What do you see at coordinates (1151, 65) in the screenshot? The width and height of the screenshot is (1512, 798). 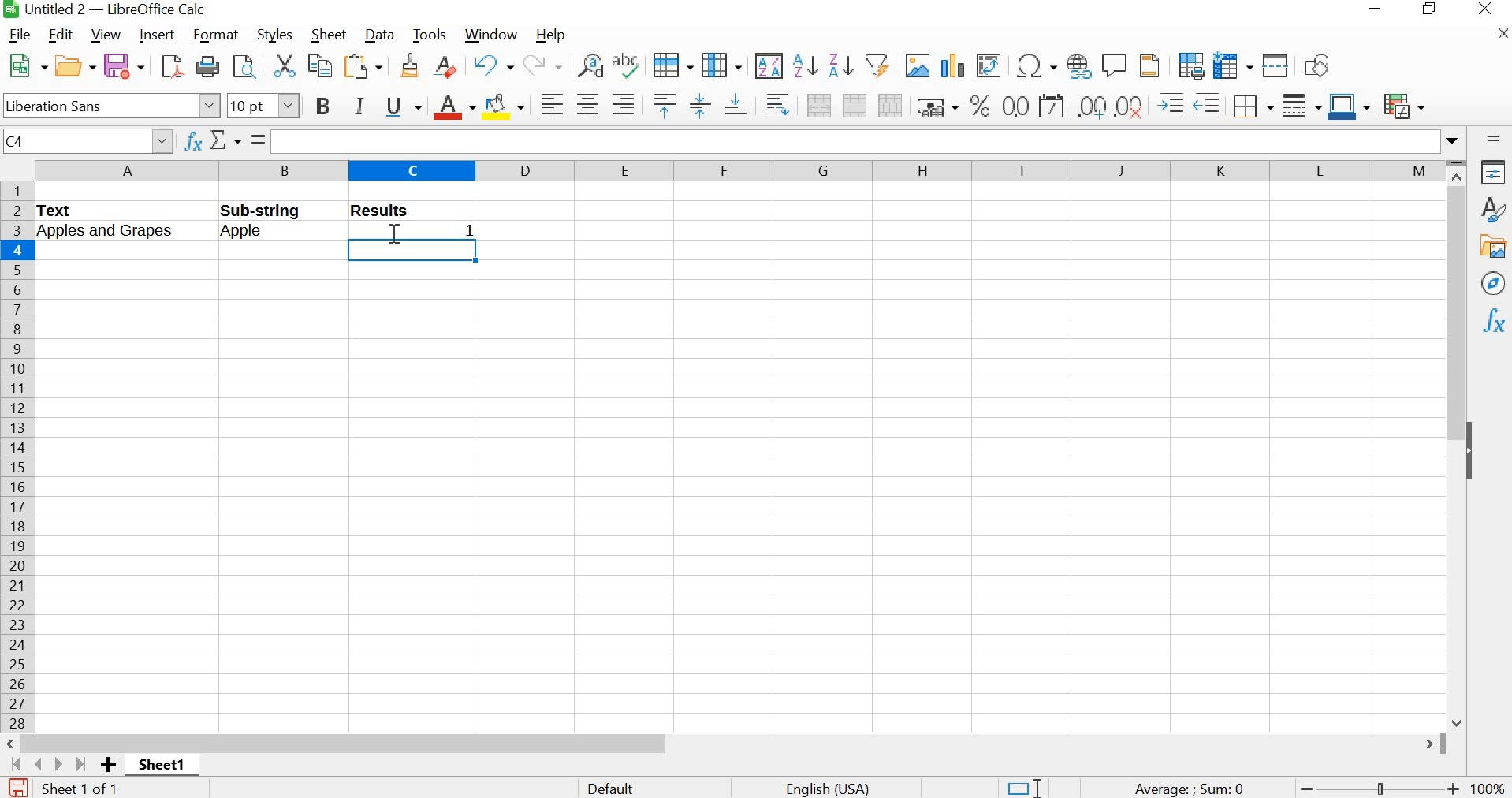 I see `headers and footers` at bounding box center [1151, 65].